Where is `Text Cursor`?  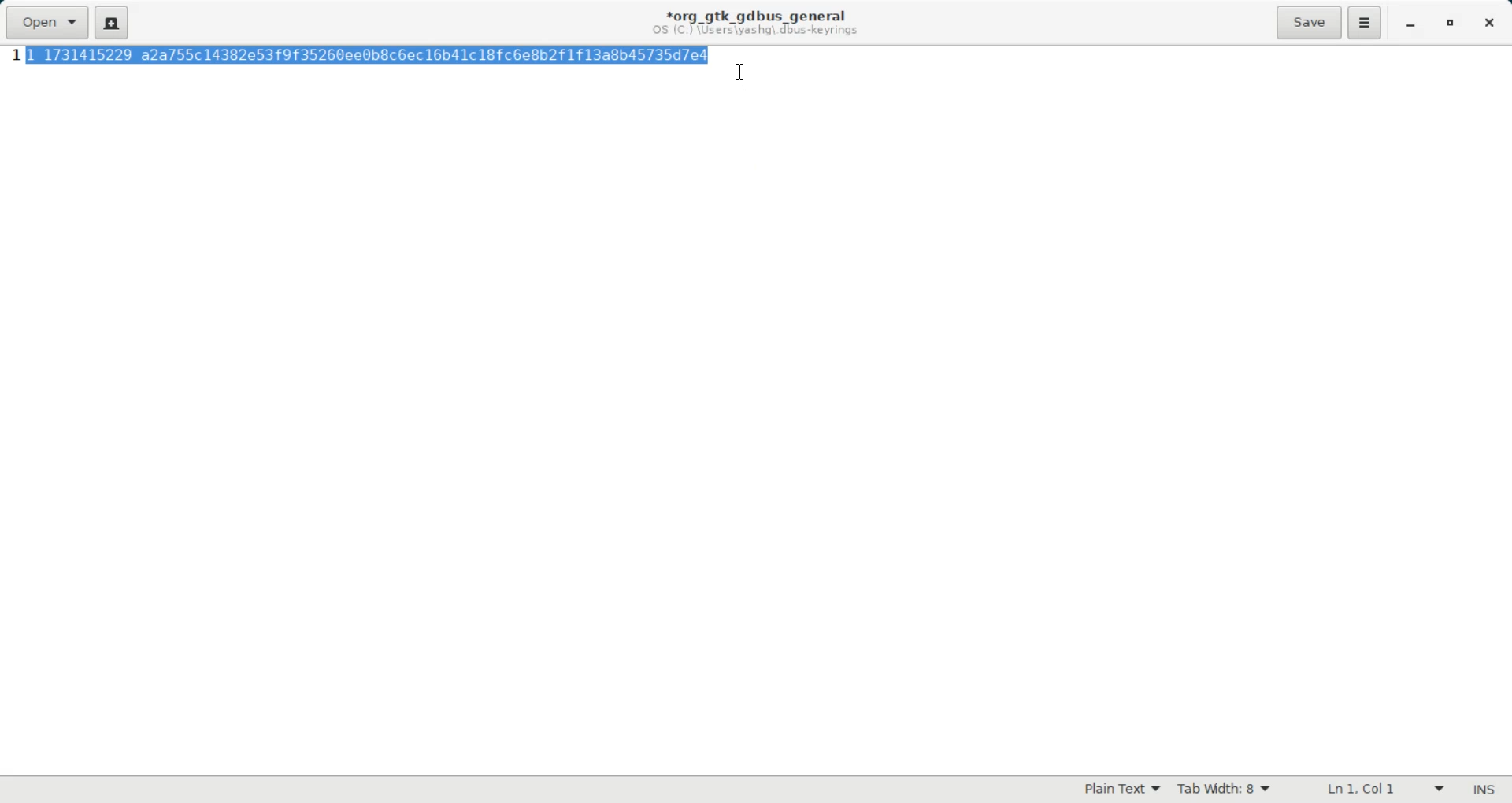
Text Cursor is located at coordinates (741, 72).